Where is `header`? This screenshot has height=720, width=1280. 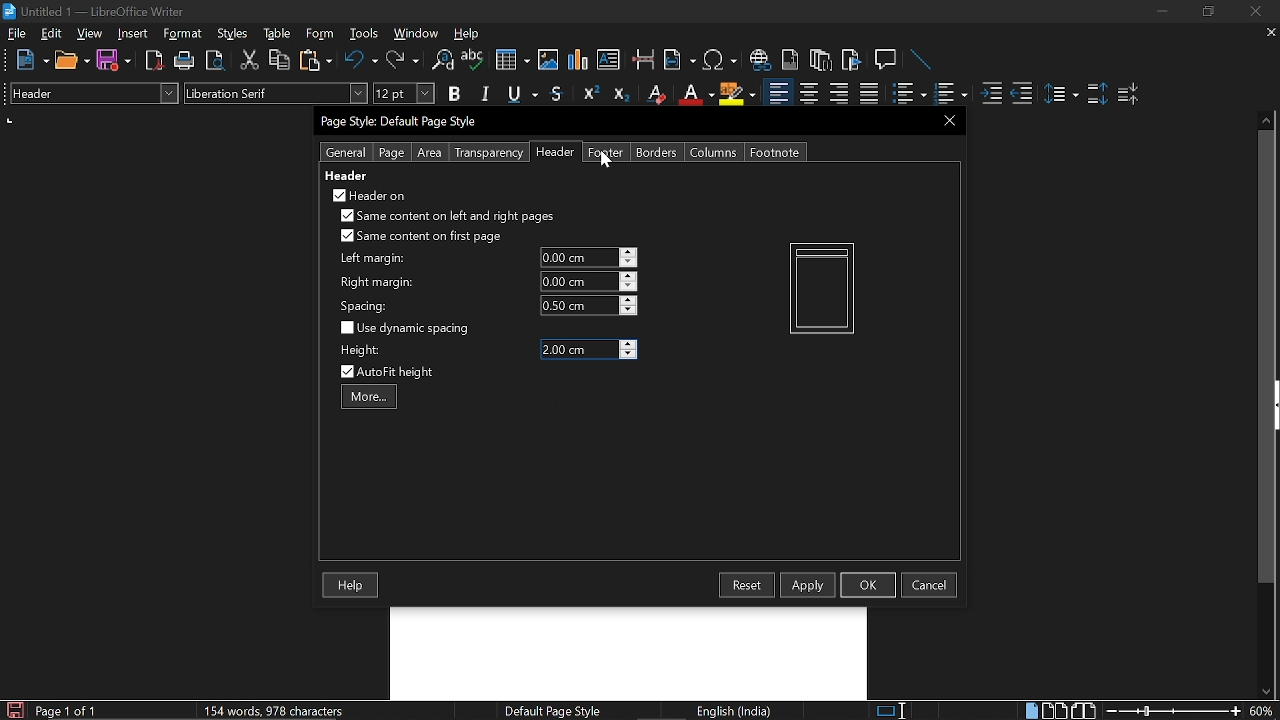 header is located at coordinates (348, 175).